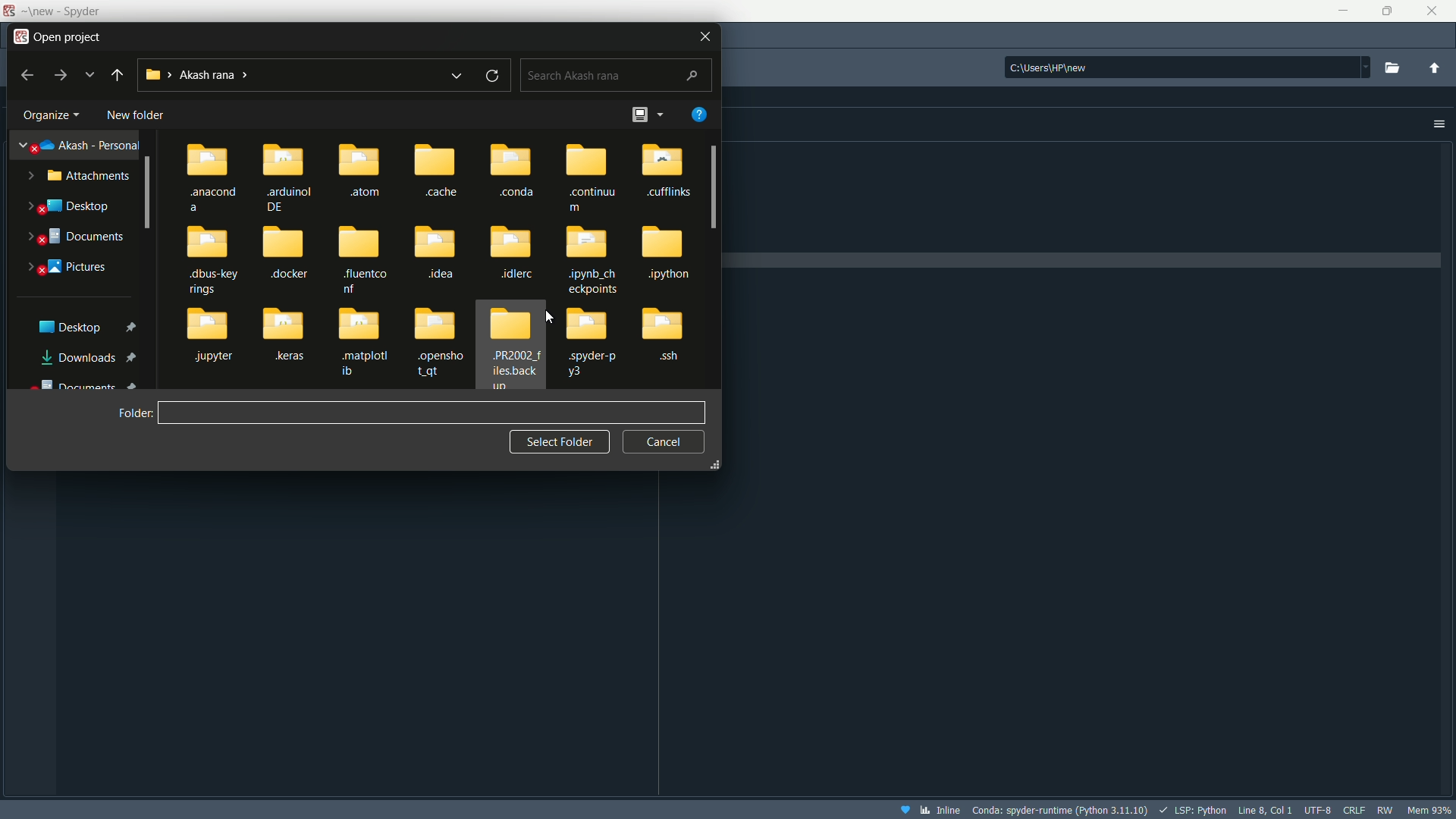 The width and height of the screenshot is (1456, 819). Describe the element at coordinates (68, 11) in the screenshot. I see `new - Spyder` at that location.